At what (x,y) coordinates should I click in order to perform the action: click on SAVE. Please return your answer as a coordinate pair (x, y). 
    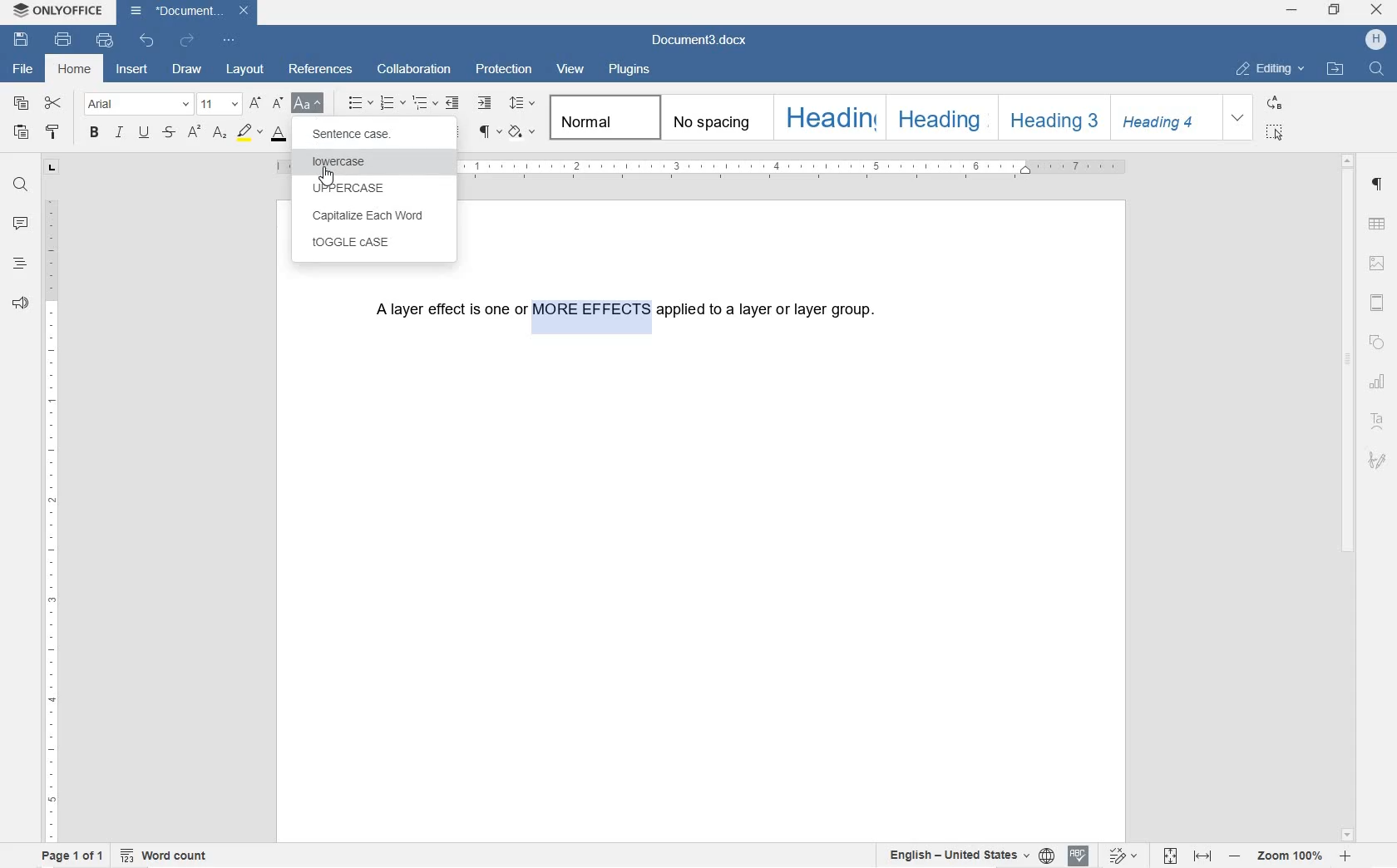
    Looking at the image, I should click on (23, 41).